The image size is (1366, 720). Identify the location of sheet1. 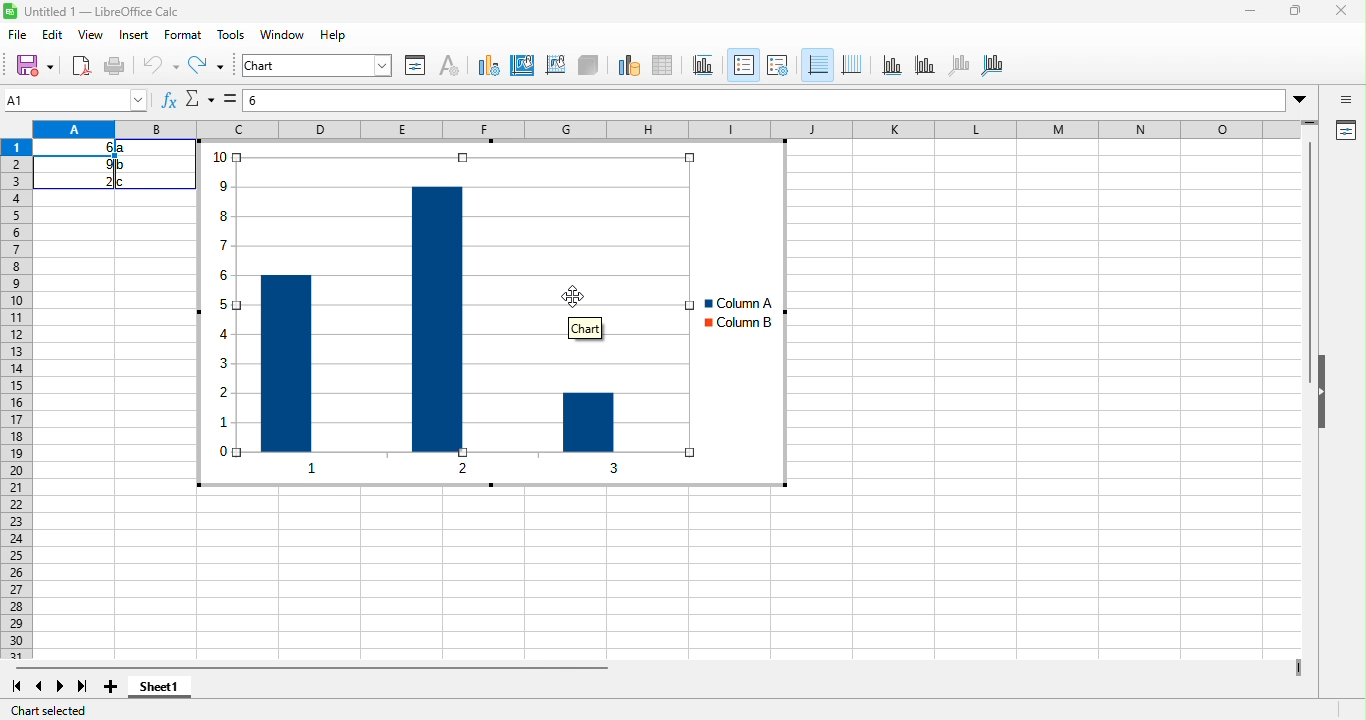
(180, 692).